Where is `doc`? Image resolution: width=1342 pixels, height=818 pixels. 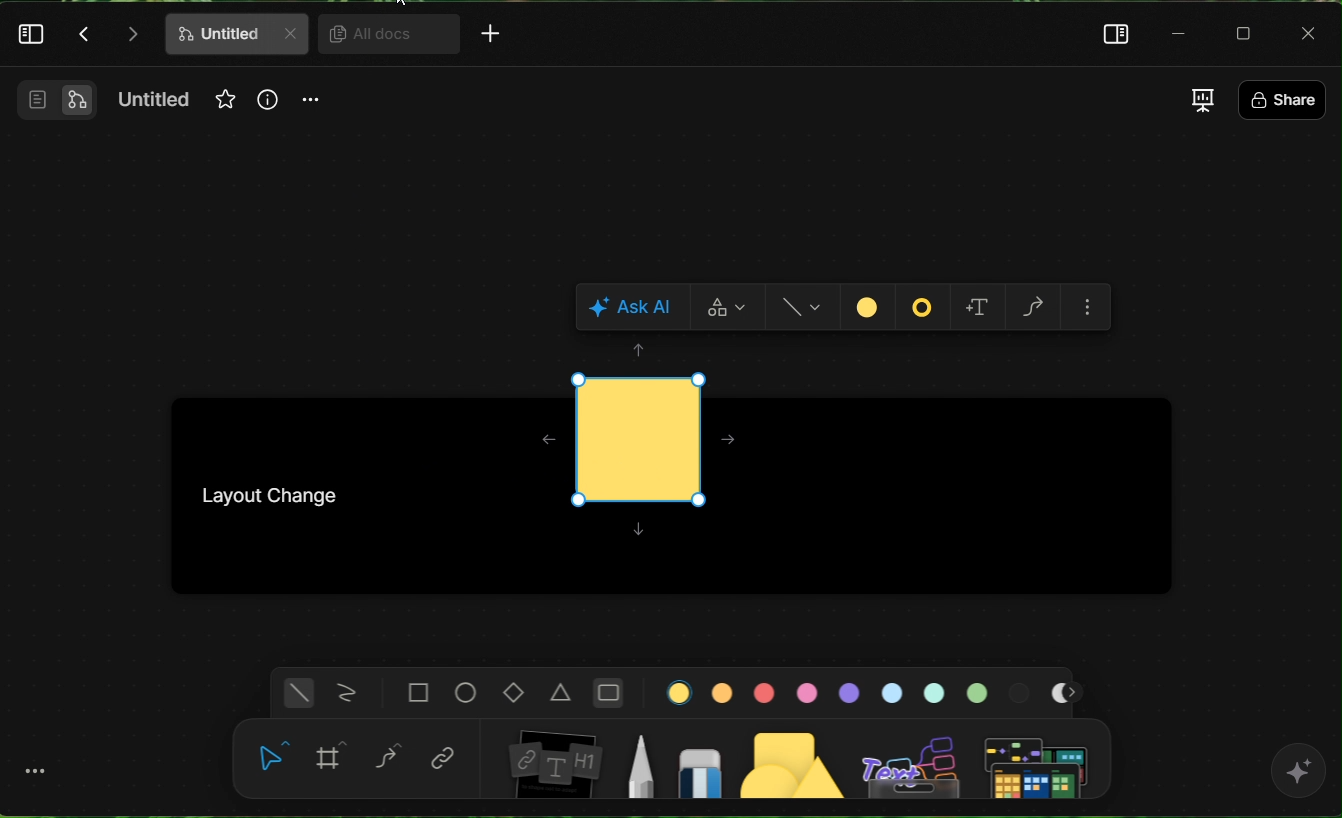 doc is located at coordinates (237, 34).